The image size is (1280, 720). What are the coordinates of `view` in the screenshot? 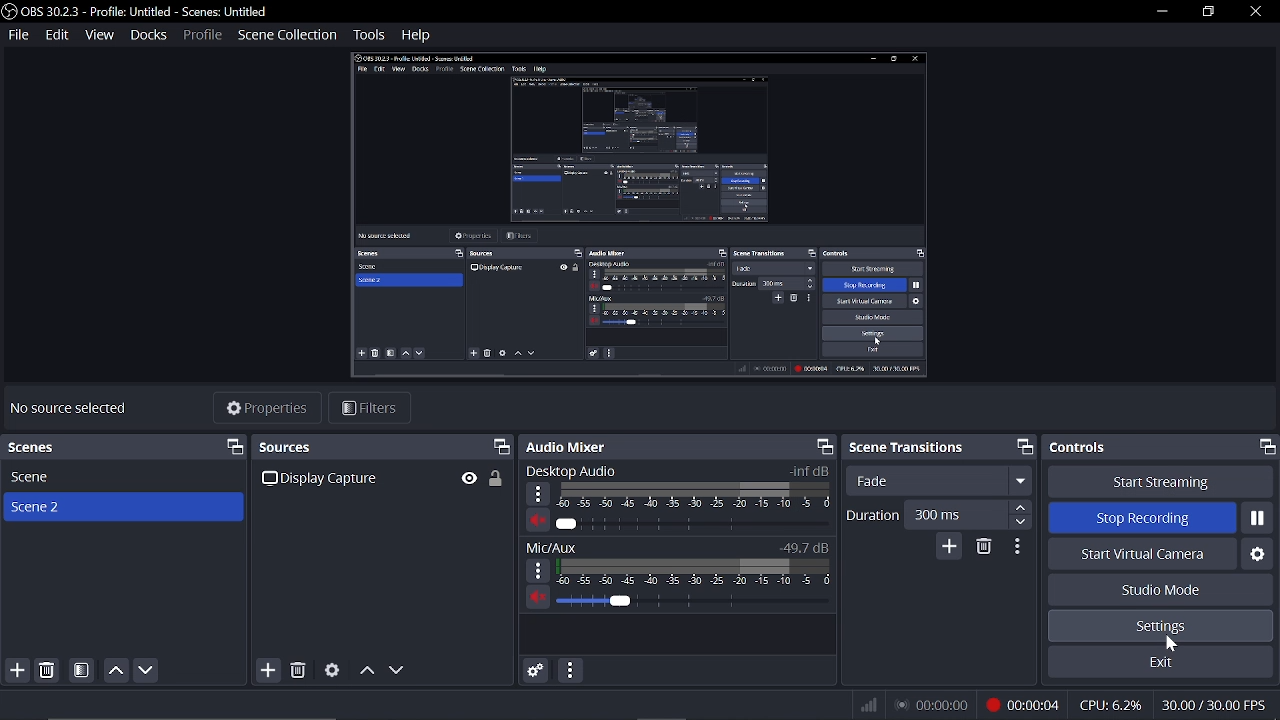 It's located at (469, 477).